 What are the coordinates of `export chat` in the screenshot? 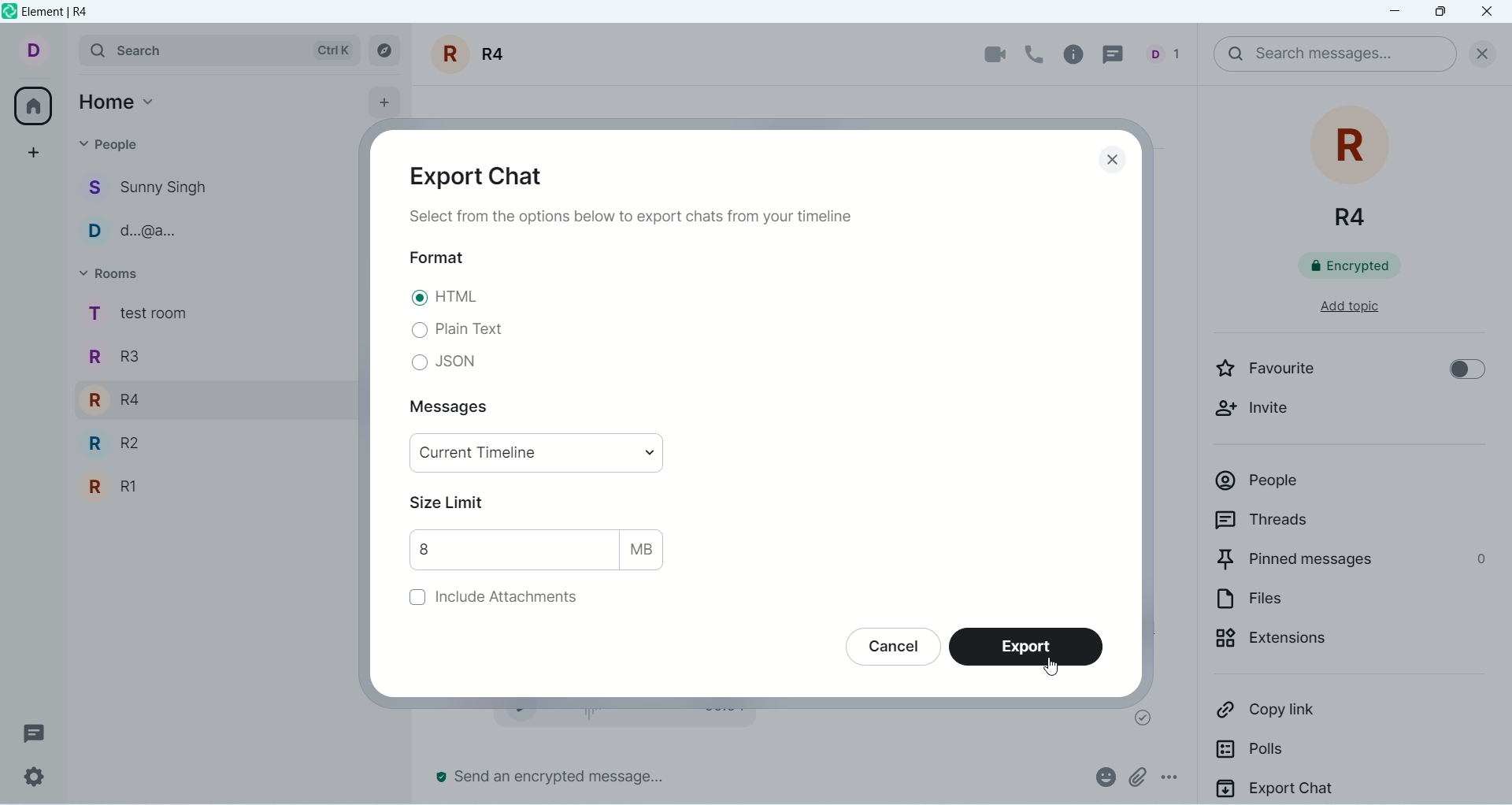 It's located at (486, 174).